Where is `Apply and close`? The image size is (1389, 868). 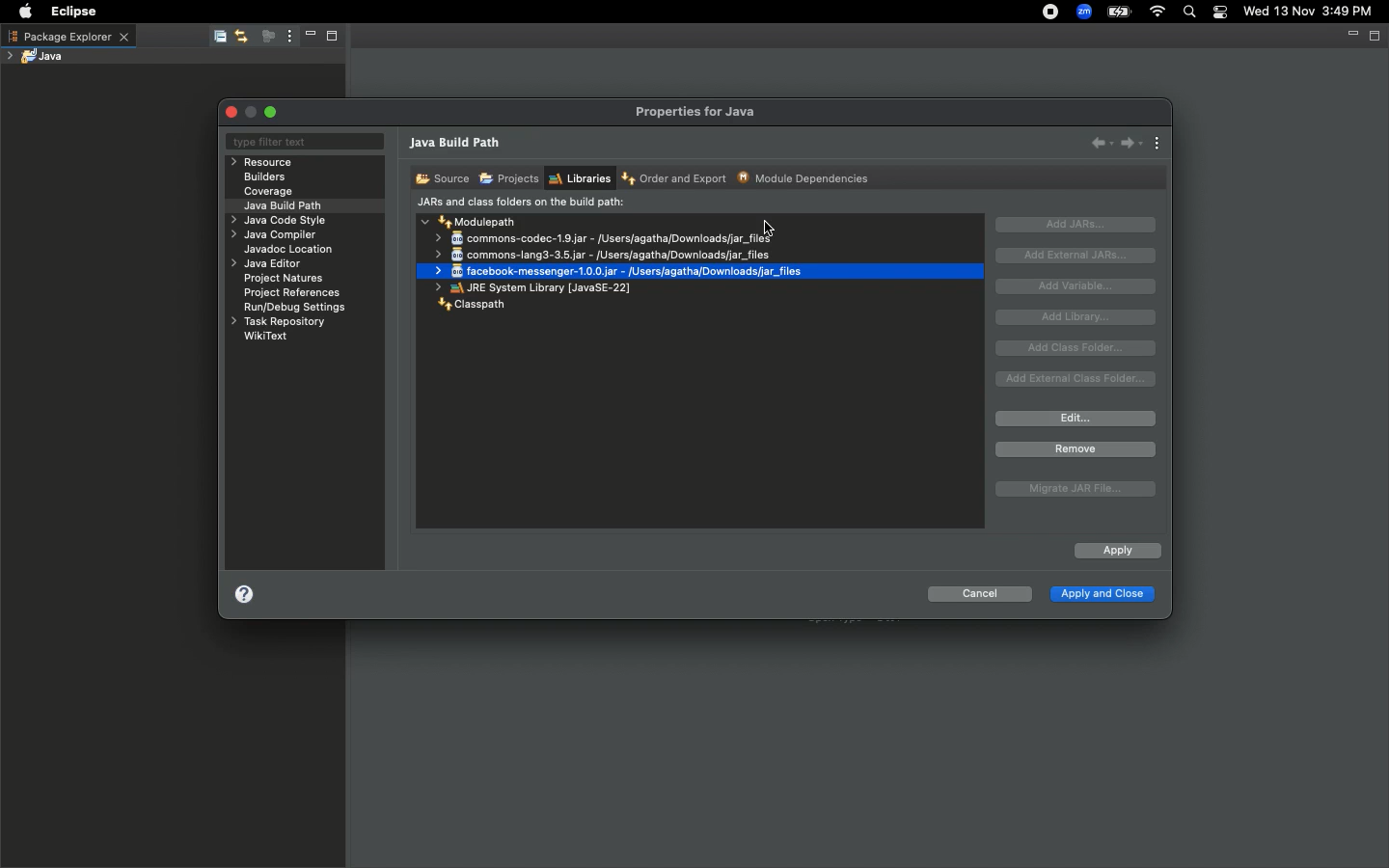
Apply and close is located at coordinates (1101, 596).